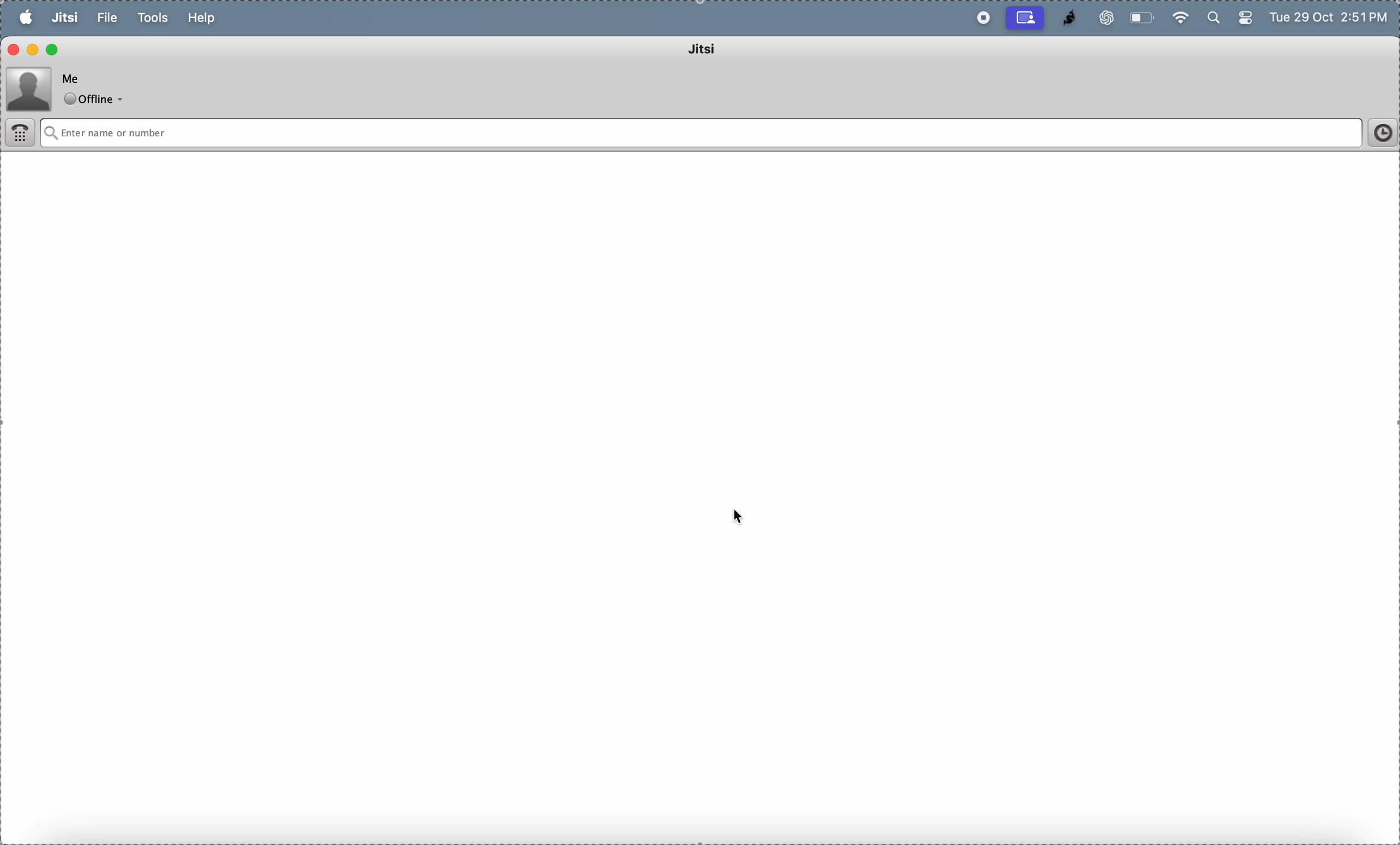  I want to click on record, so click(980, 18).